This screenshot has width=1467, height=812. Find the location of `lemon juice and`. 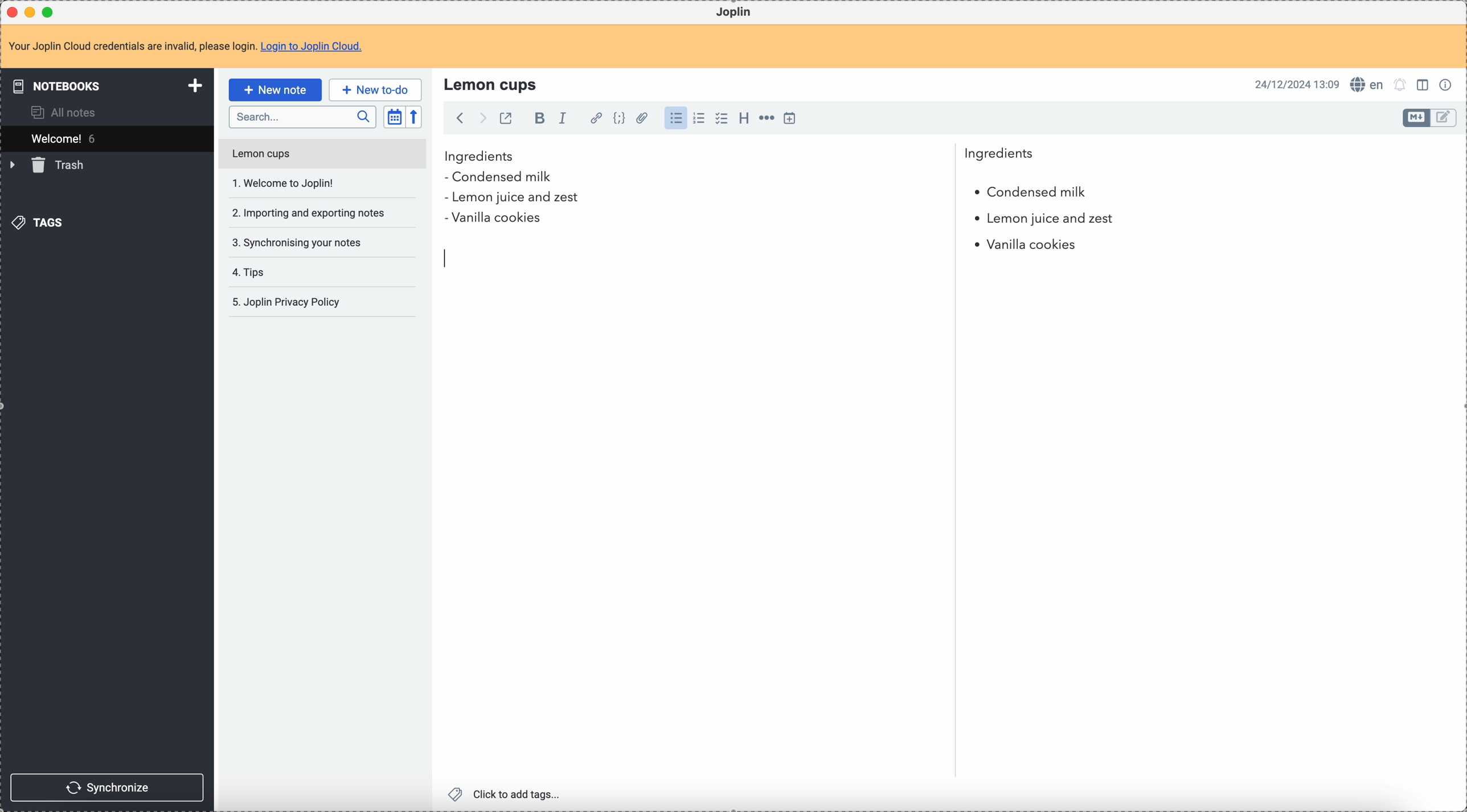

lemon juice and is located at coordinates (1043, 220).